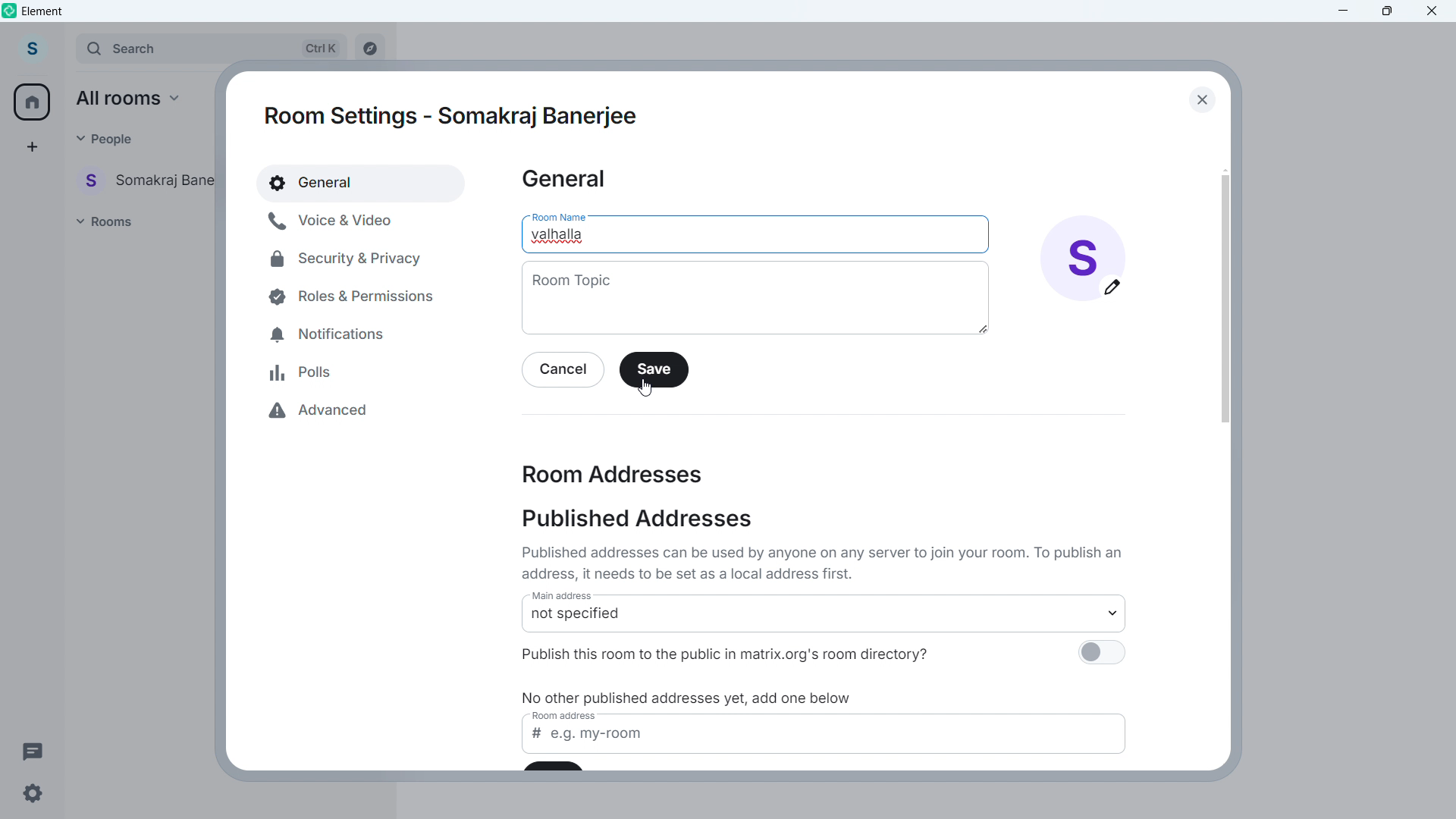 The width and height of the screenshot is (1456, 819). Describe the element at coordinates (1225, 169) in the screenshot. I see `Scroll up ` at that location.